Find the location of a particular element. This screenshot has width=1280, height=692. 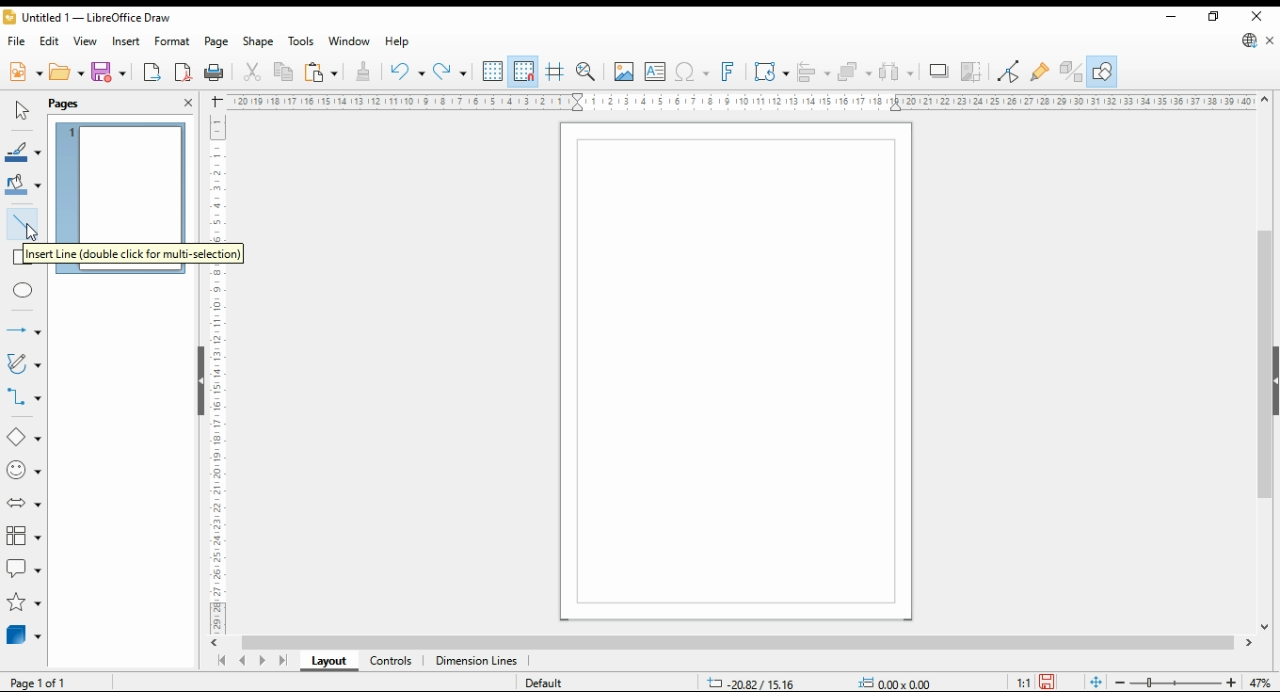

pan and zoom is located at coordinates (588, 71).